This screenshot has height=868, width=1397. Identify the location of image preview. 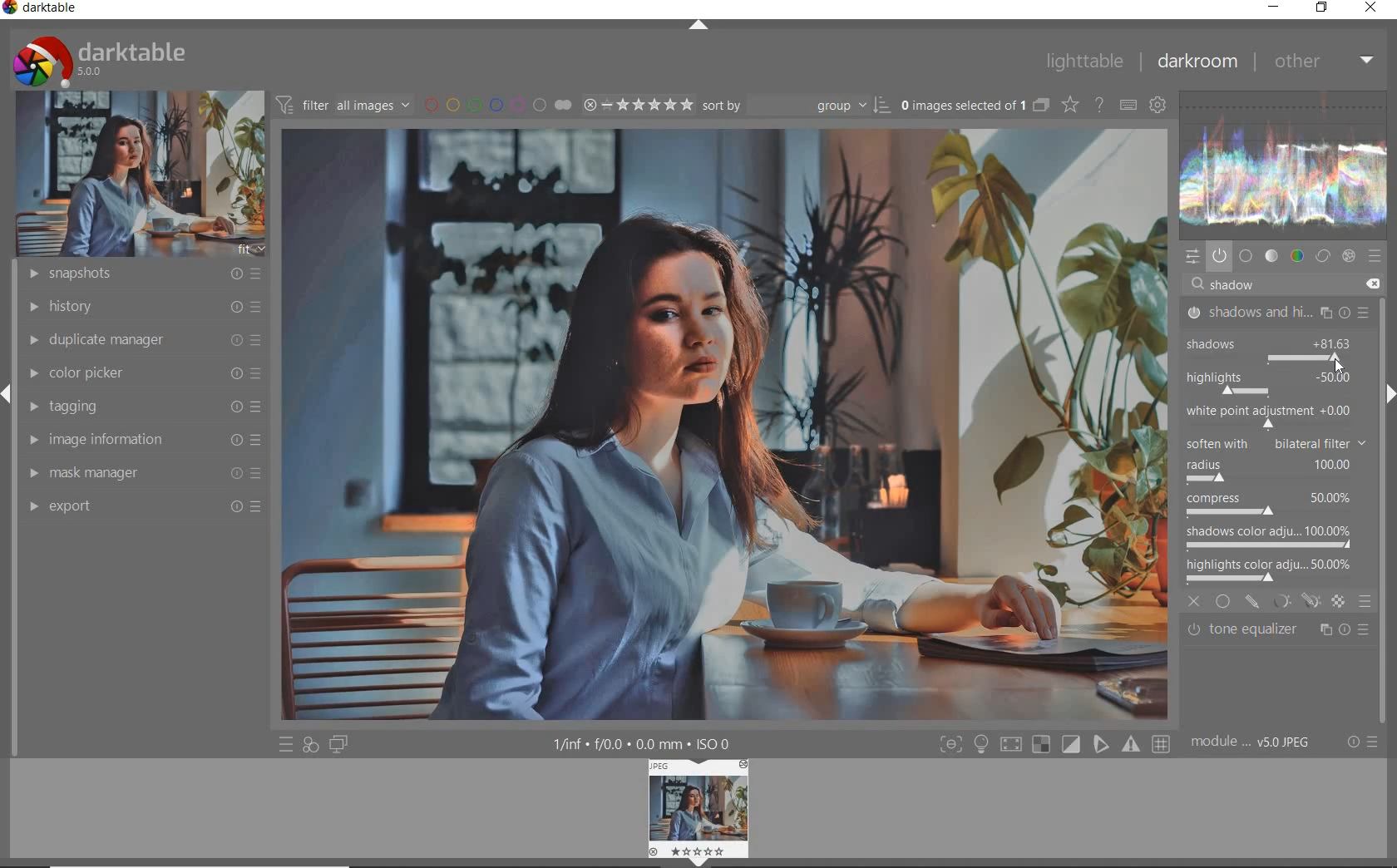
(722, 804).